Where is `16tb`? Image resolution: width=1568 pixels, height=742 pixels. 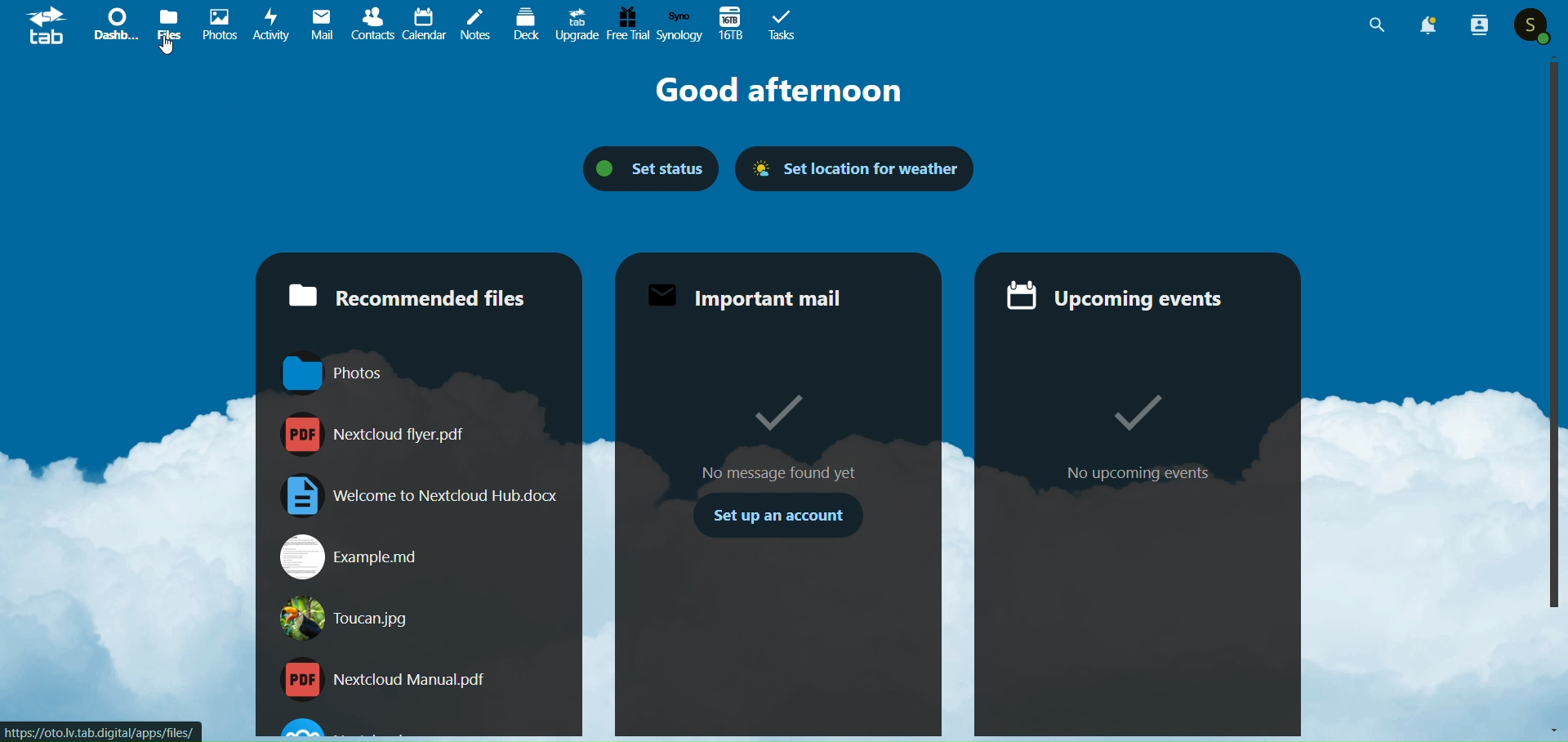
16tb is located at coordinates (733, 24).